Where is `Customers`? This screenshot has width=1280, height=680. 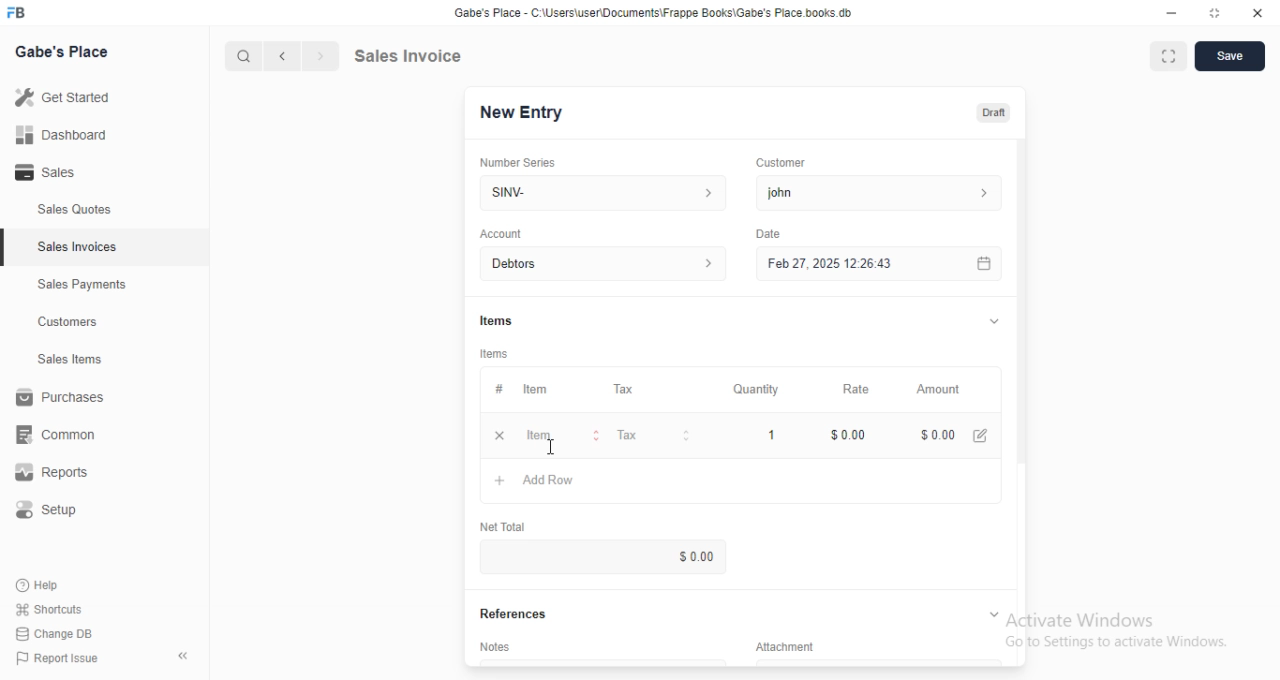
Customers is located at coordinates (67, 323).